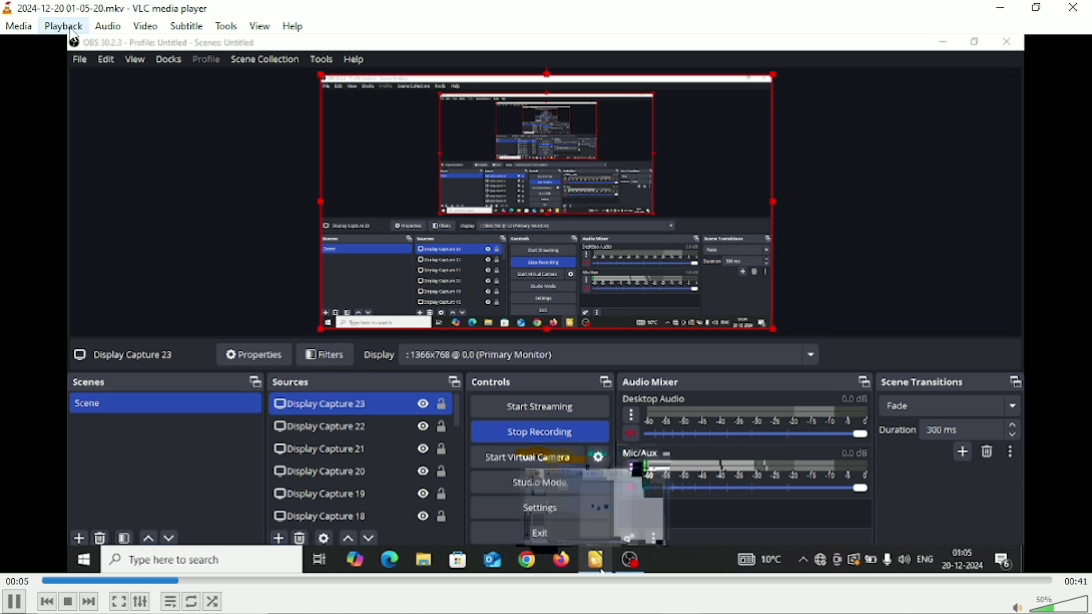  What do you see at coordinates (16, 580) in the screenshot?
I see `Elapsed time` at bounding box center [16, 580].